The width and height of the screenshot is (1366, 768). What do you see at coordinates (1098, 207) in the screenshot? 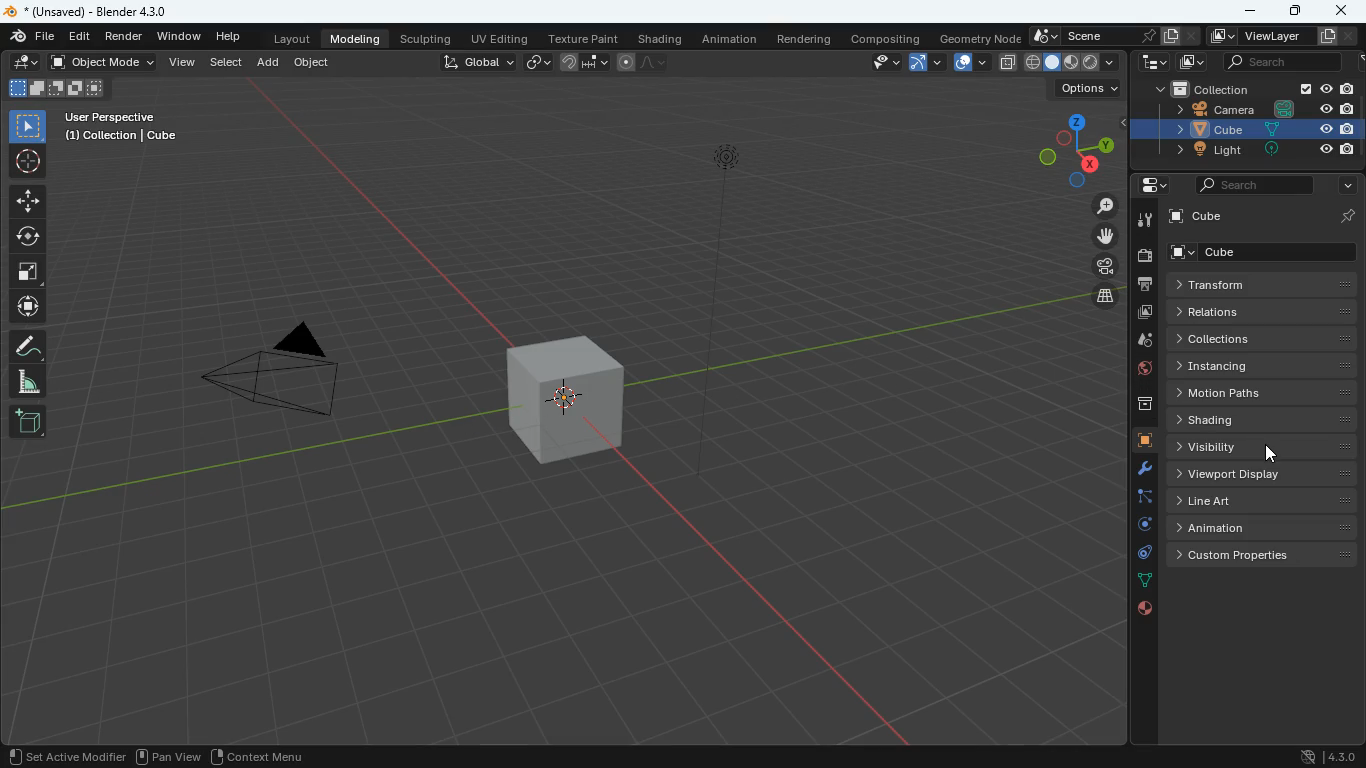
I see `zoom` at bounding box center [1098, 207].